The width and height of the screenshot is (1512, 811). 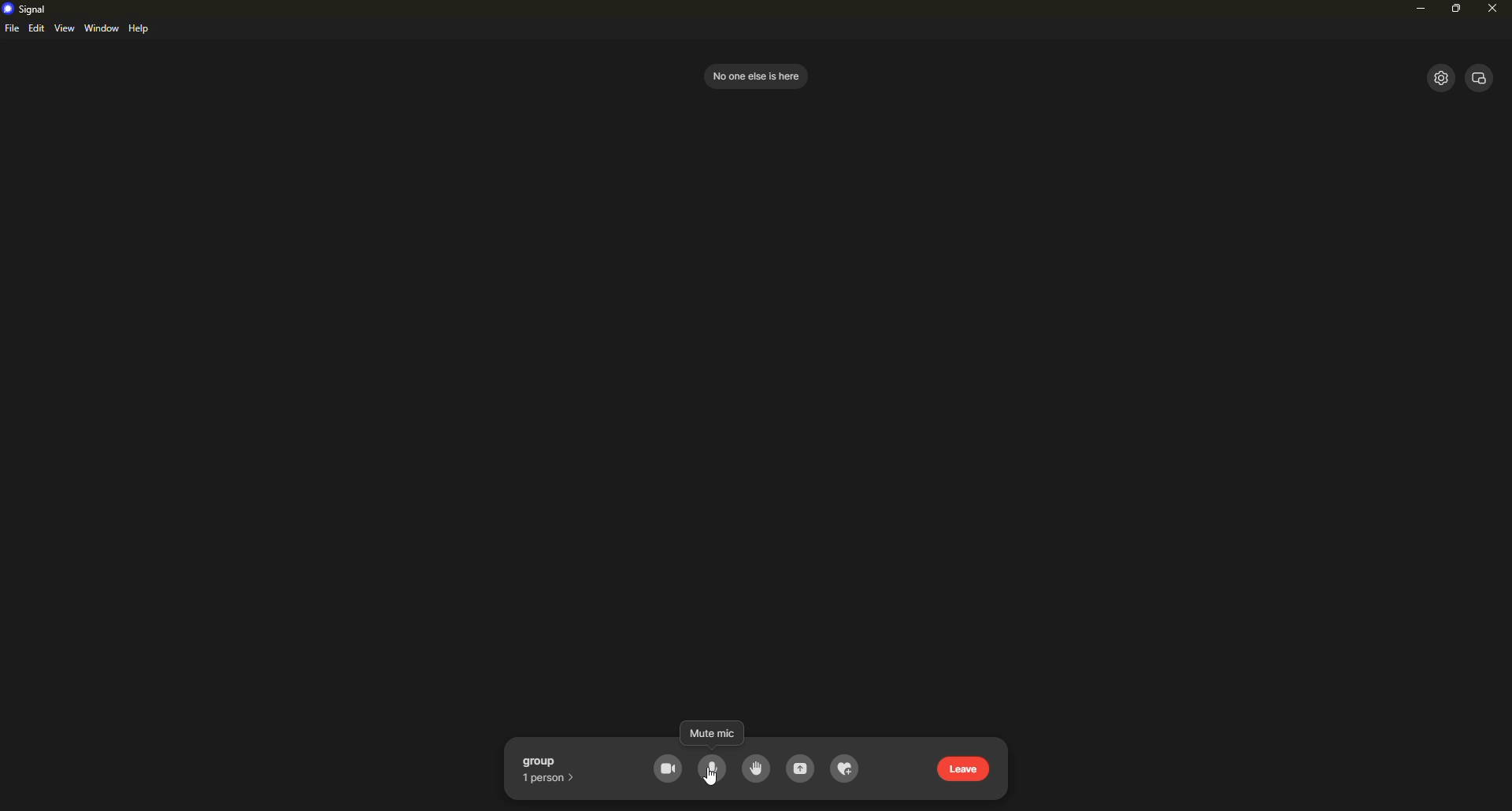 I want to click on no one else is here, so click(x=754, y=75).